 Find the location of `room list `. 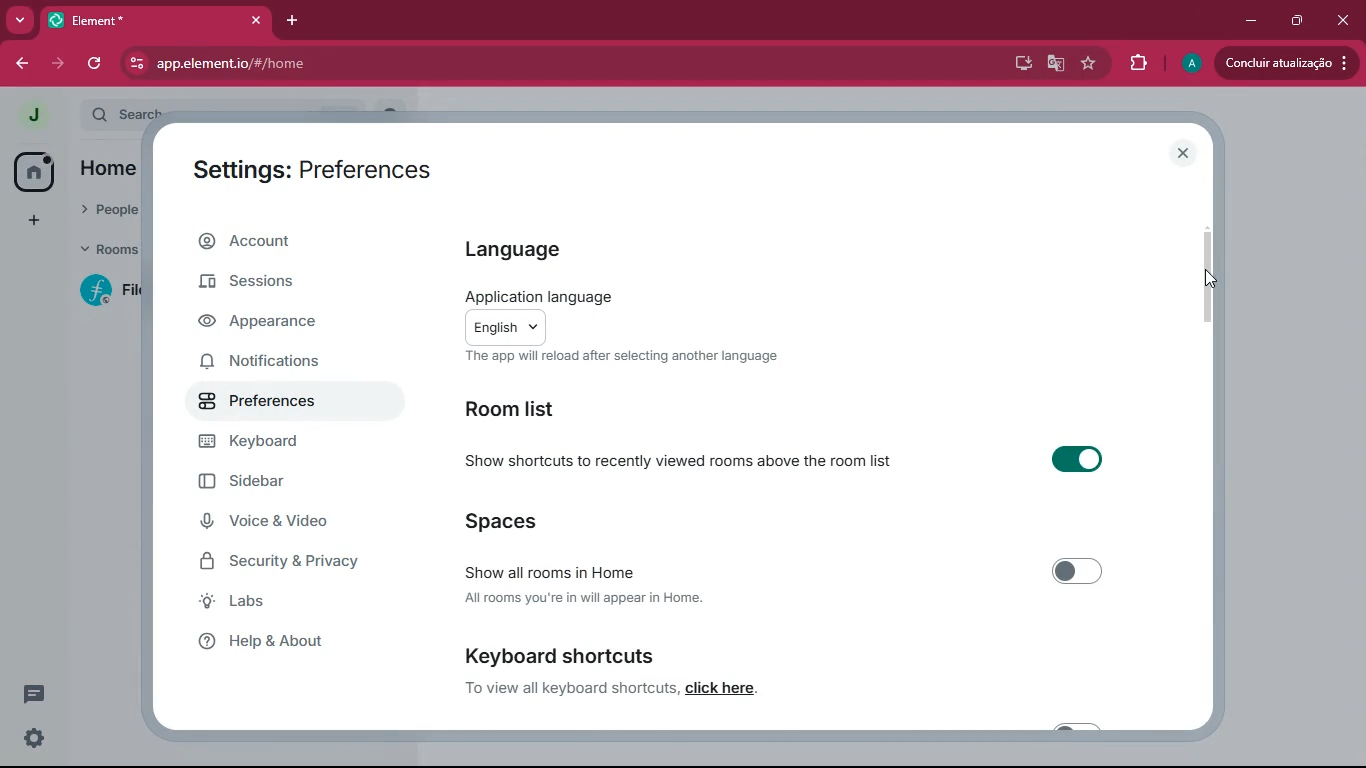

room list  is located at coordinates (537, 411).